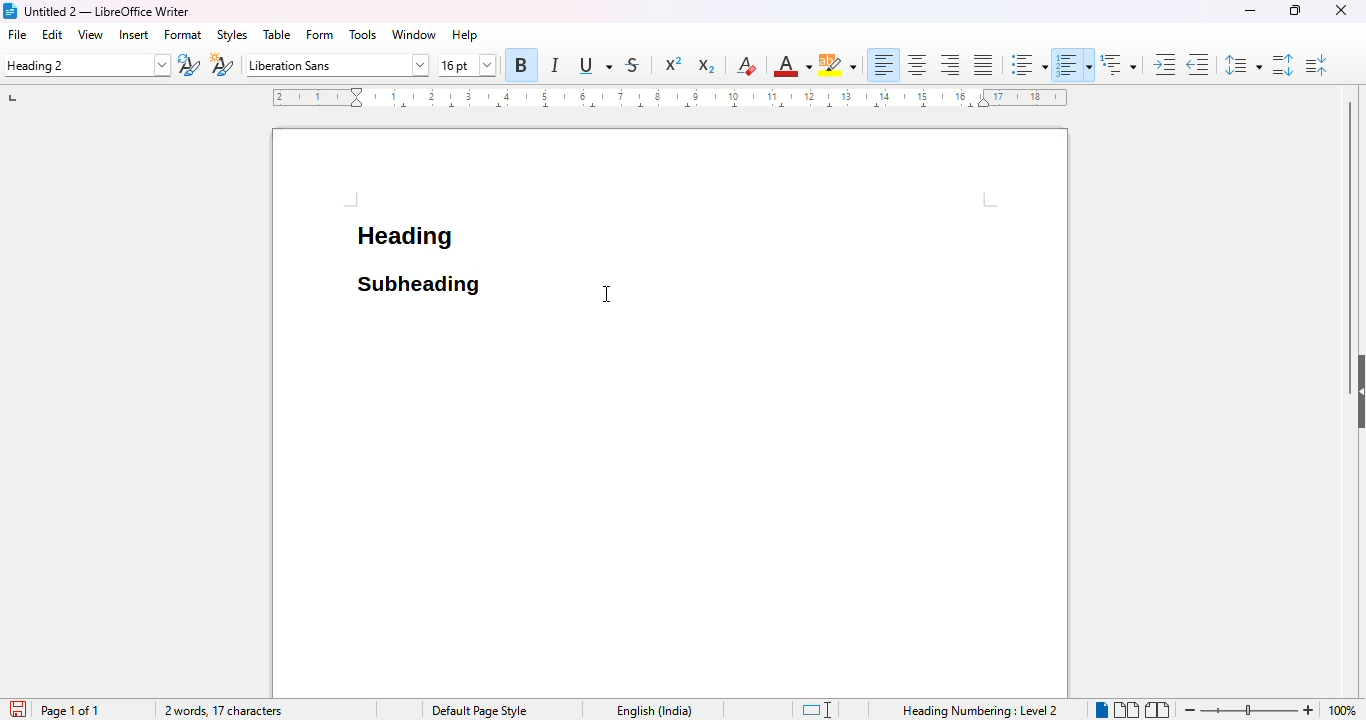  What do you see at coordinates (1250, 11) in the screenshot?
I see `minimize` at bounding box center [1250, 11].